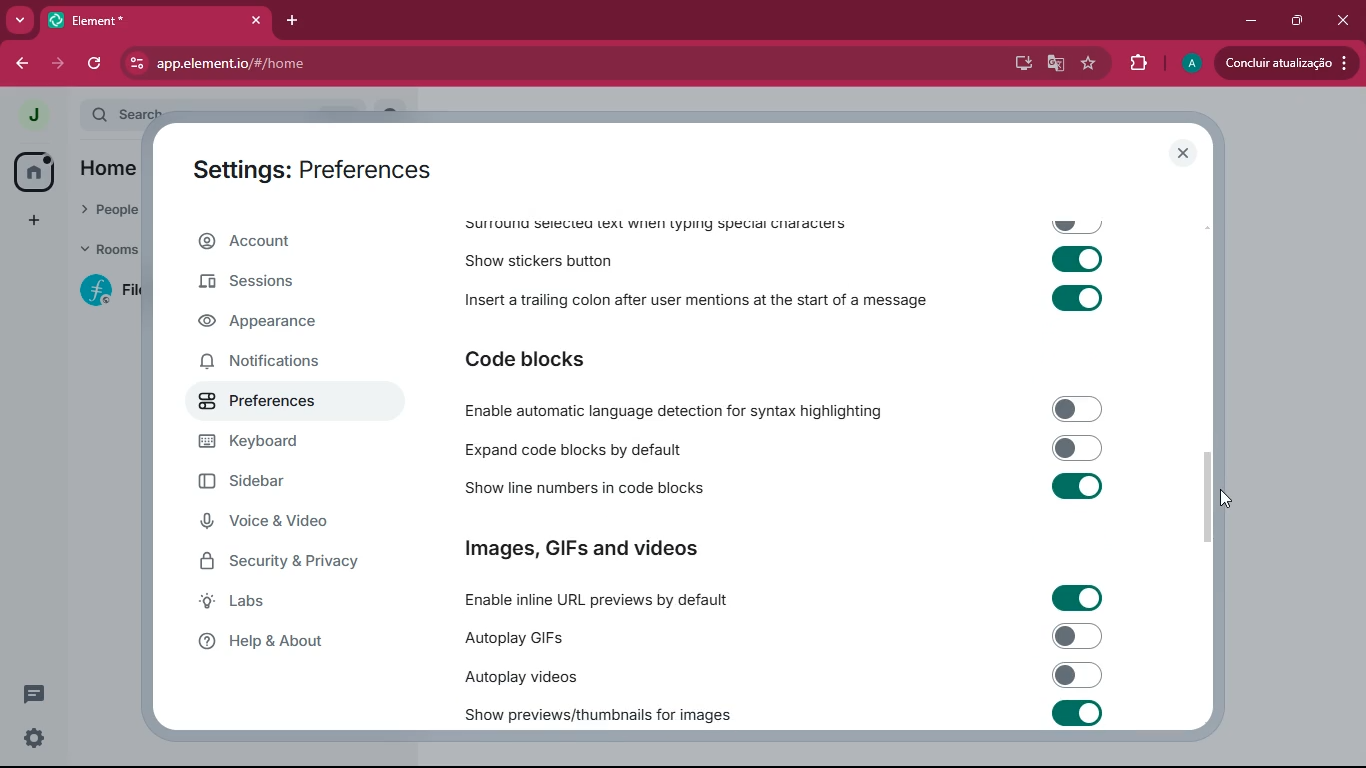 This screenshot has height=768, width=1366. Describe the element at coordinates (783, 637) in the screenshot. I see `Autoplay GIFs` at that location.